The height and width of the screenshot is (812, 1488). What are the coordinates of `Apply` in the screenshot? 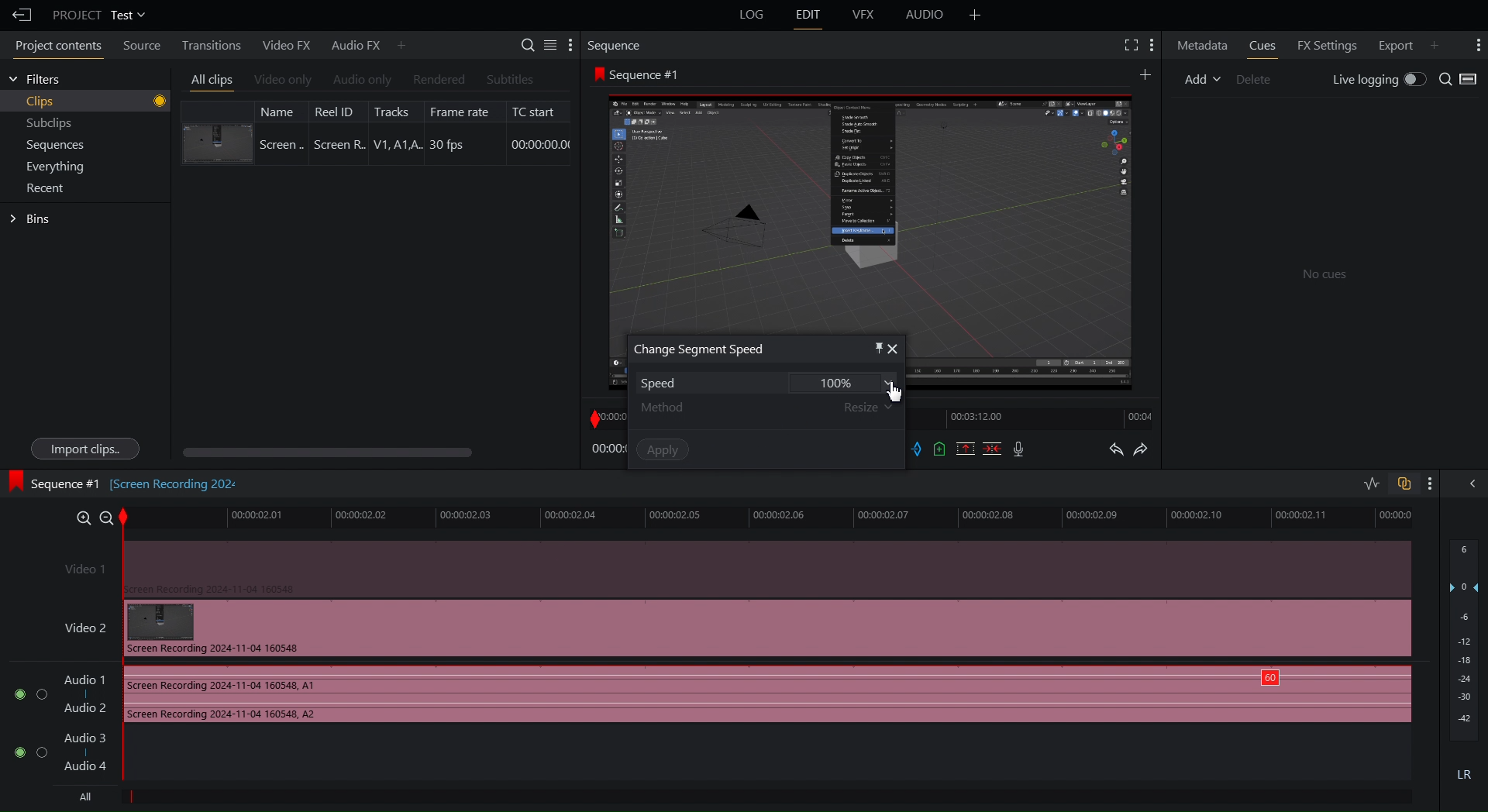 It's located at (663, 449).